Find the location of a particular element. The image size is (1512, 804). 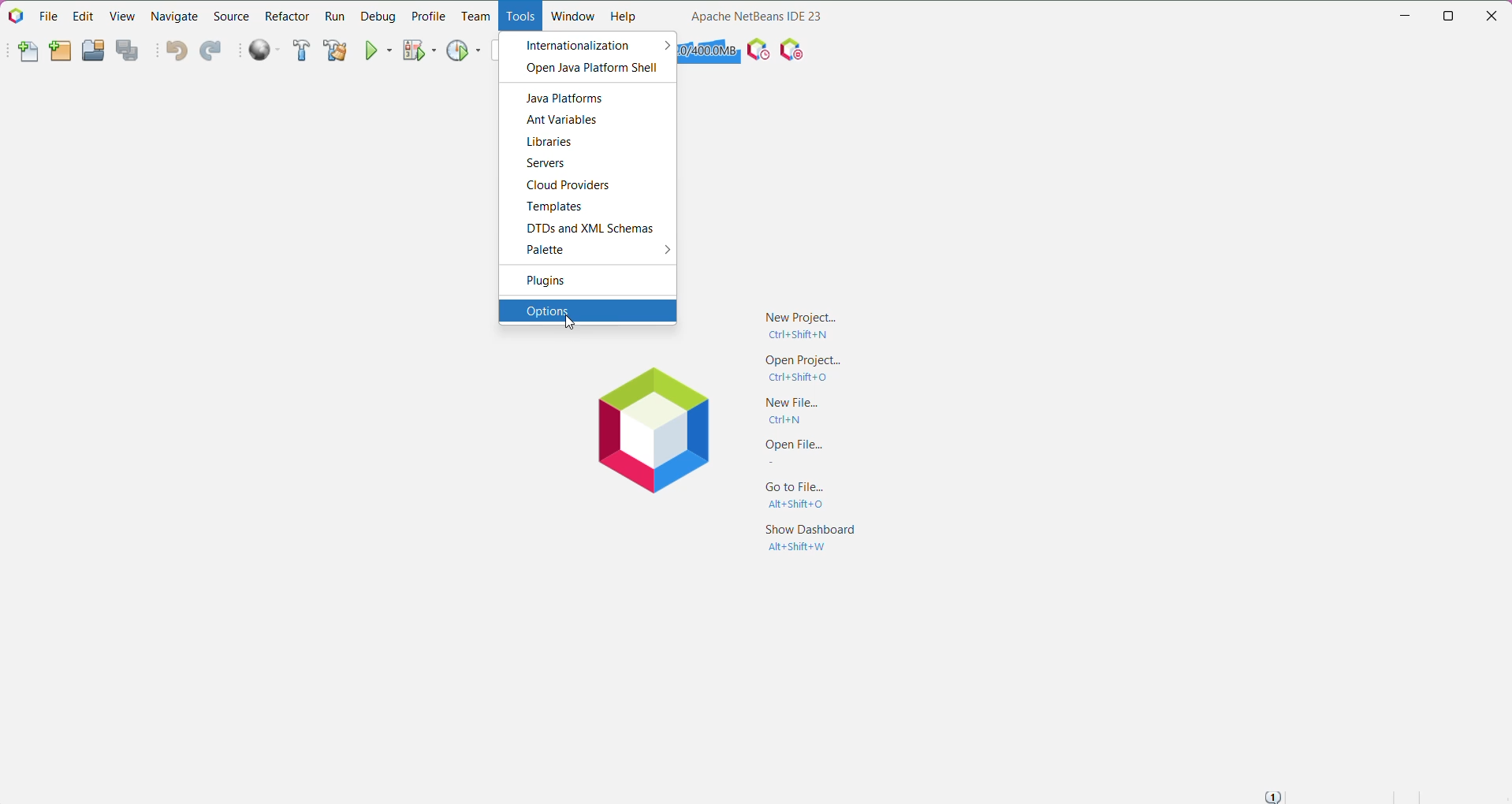

Redo is located at coordinates (210, 52).